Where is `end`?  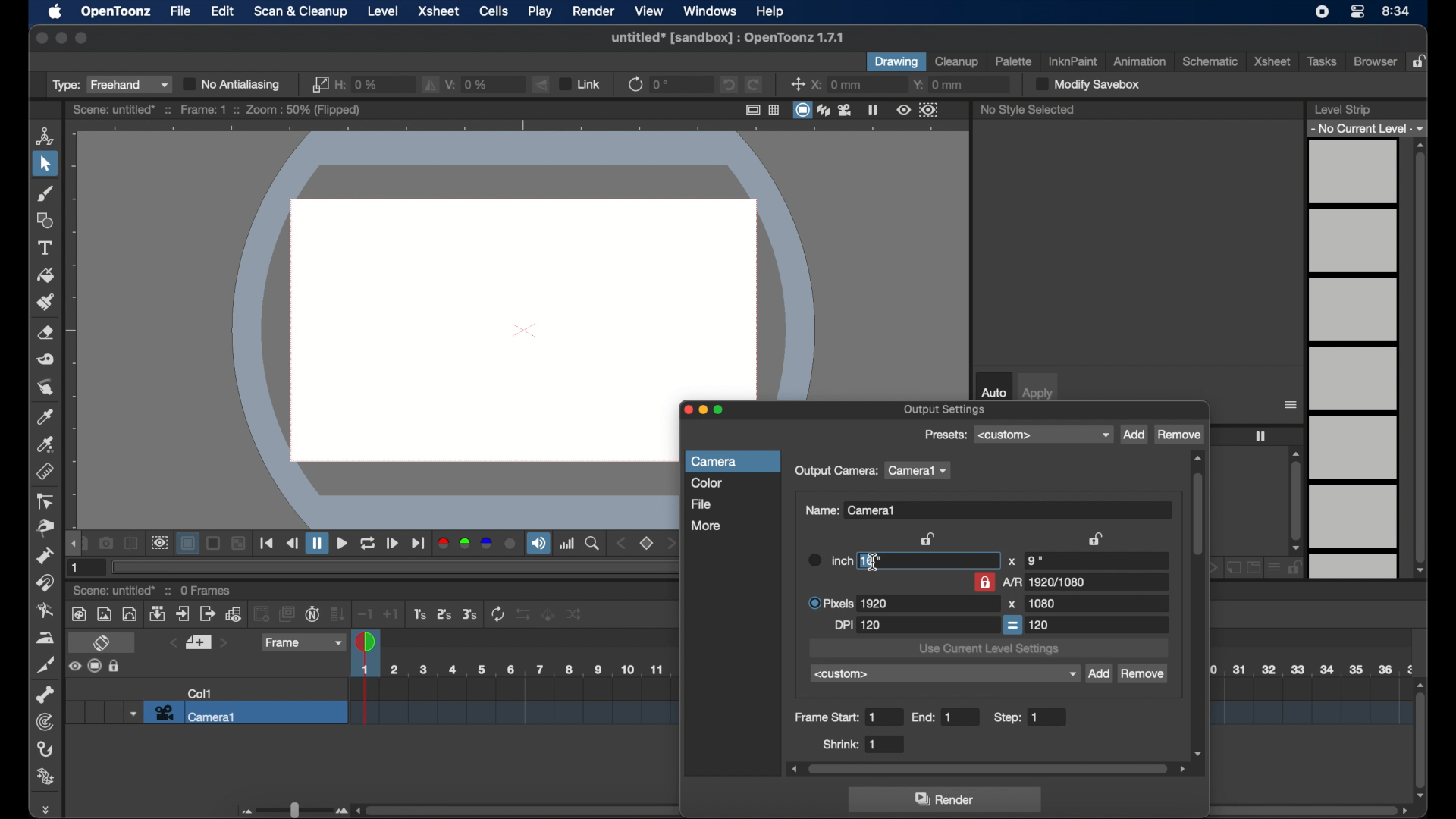 end is located at coordinates (934, 717).